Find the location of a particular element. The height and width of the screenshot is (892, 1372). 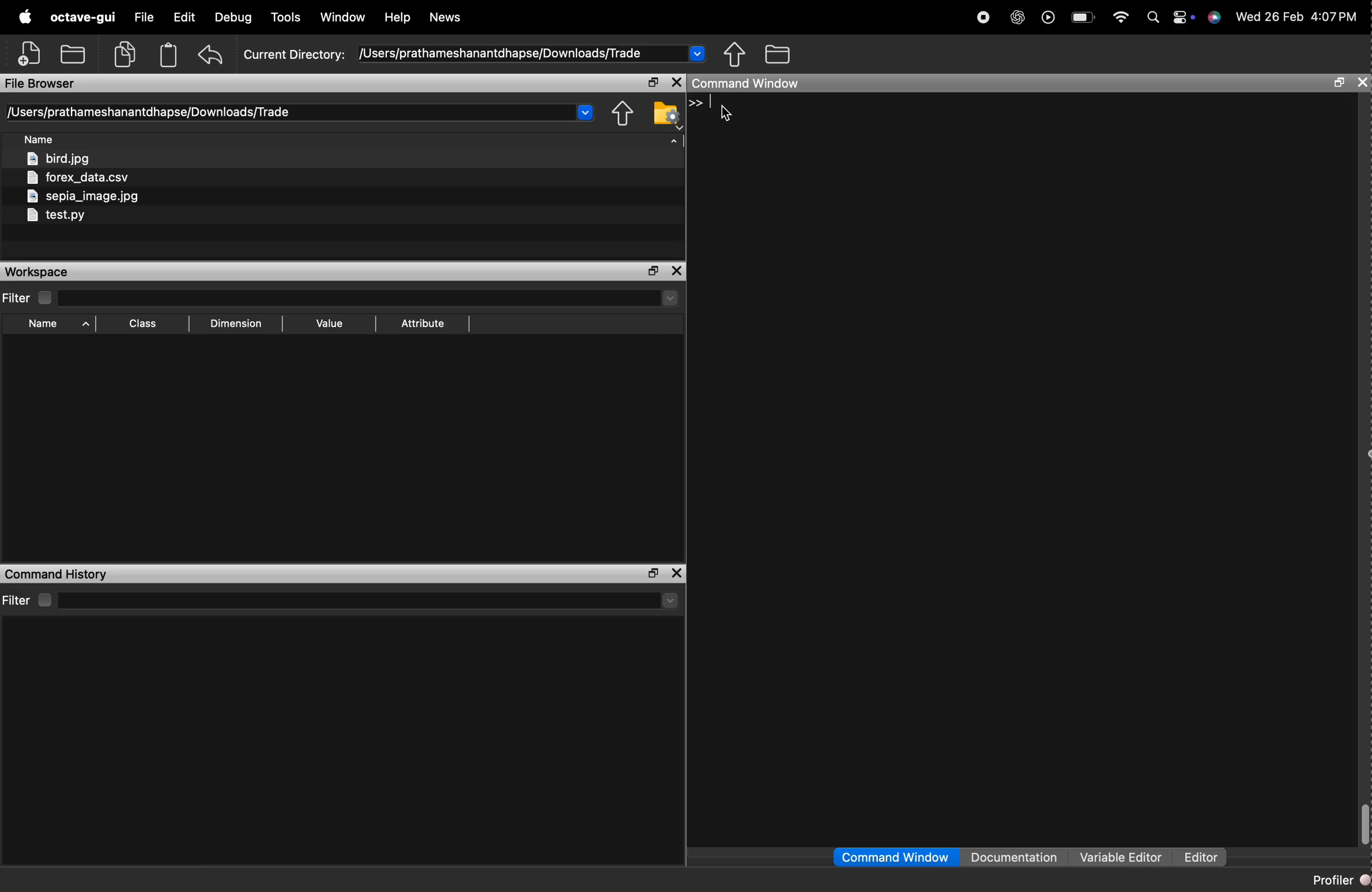

Edit is located at coordinates (183, 17).